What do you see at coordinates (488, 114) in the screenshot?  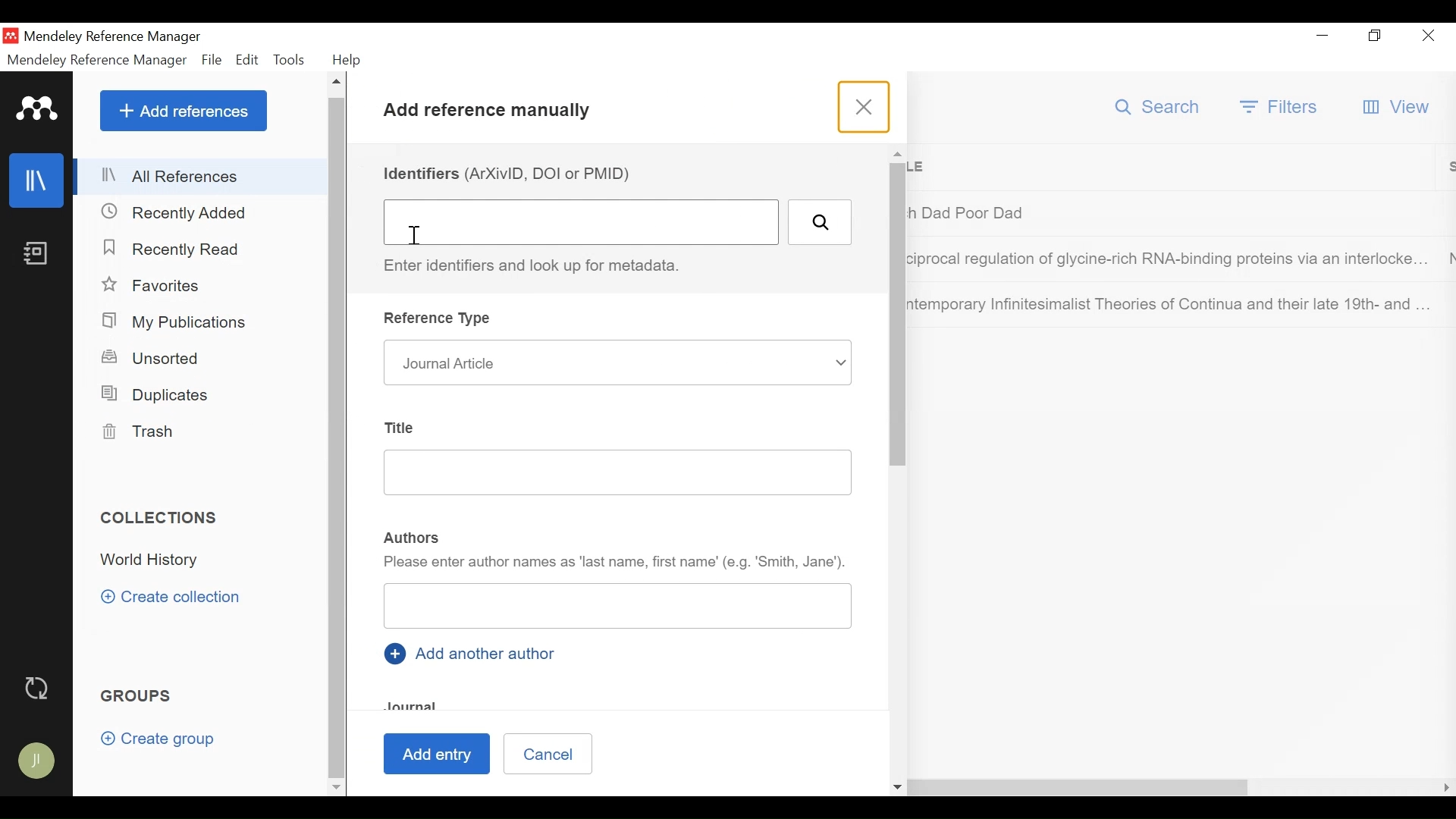 I see `Add References Manully` at bounding box center [488, 114].